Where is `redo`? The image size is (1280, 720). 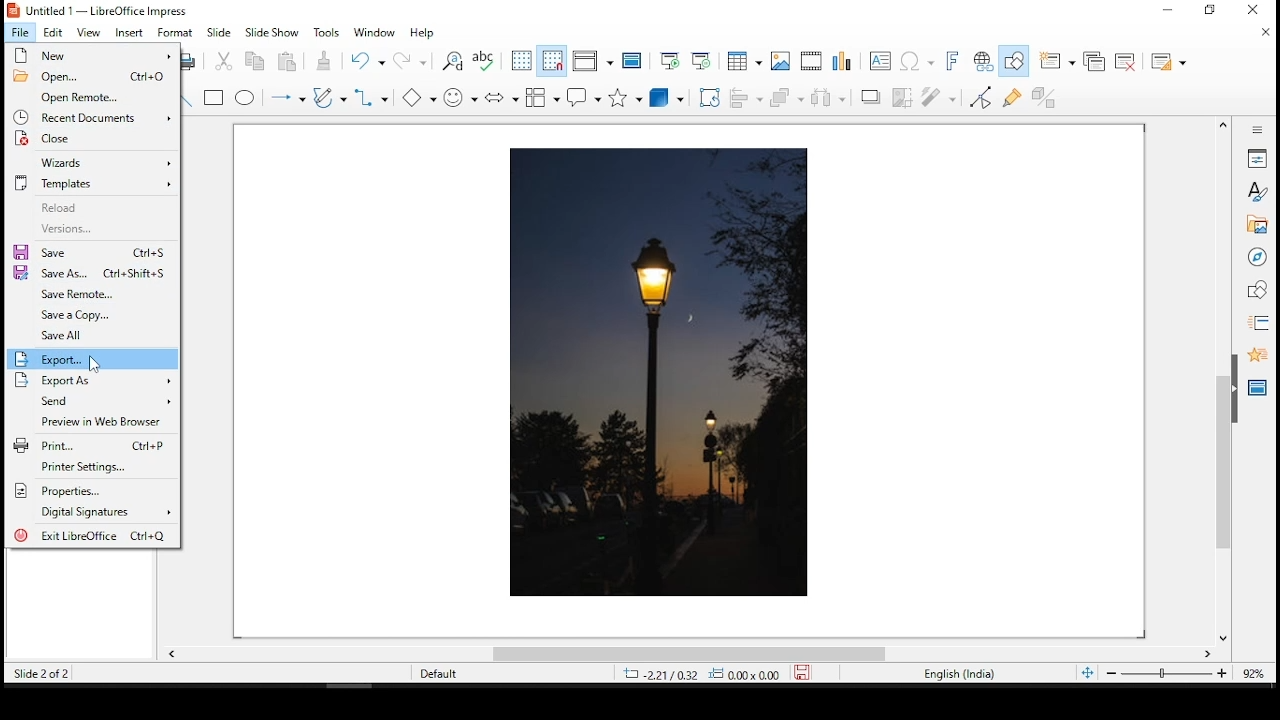 redo is located at coordinates (410, 59).